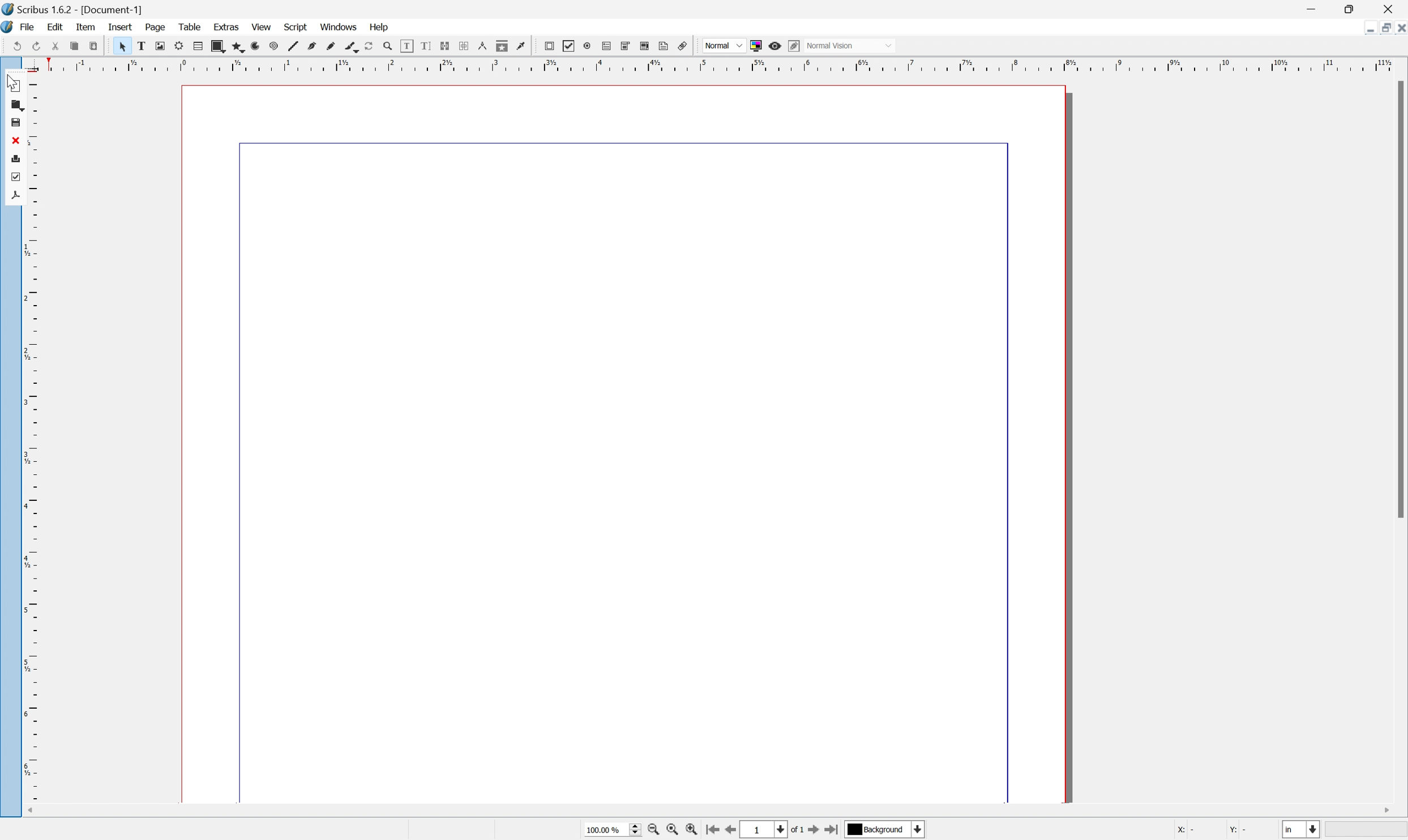 The width and height of the screenshot is (1408, 840). What do you see at coordinates (1311, 8) in the screenshot?
I see `minimize` at bounding box center [1311, 8].